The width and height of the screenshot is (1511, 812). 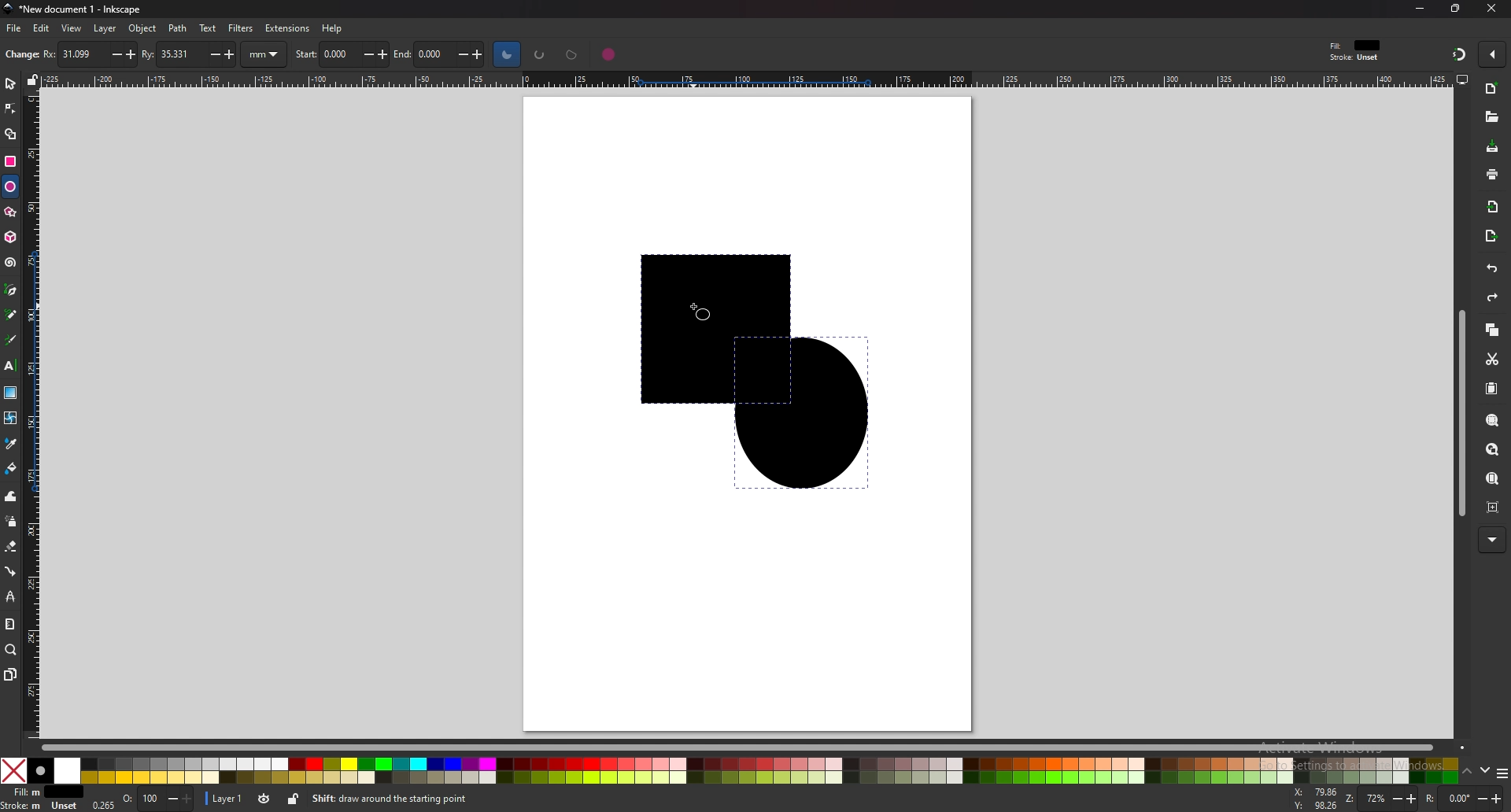 I want to click on toggle visibility, so click(x=262, y=799).